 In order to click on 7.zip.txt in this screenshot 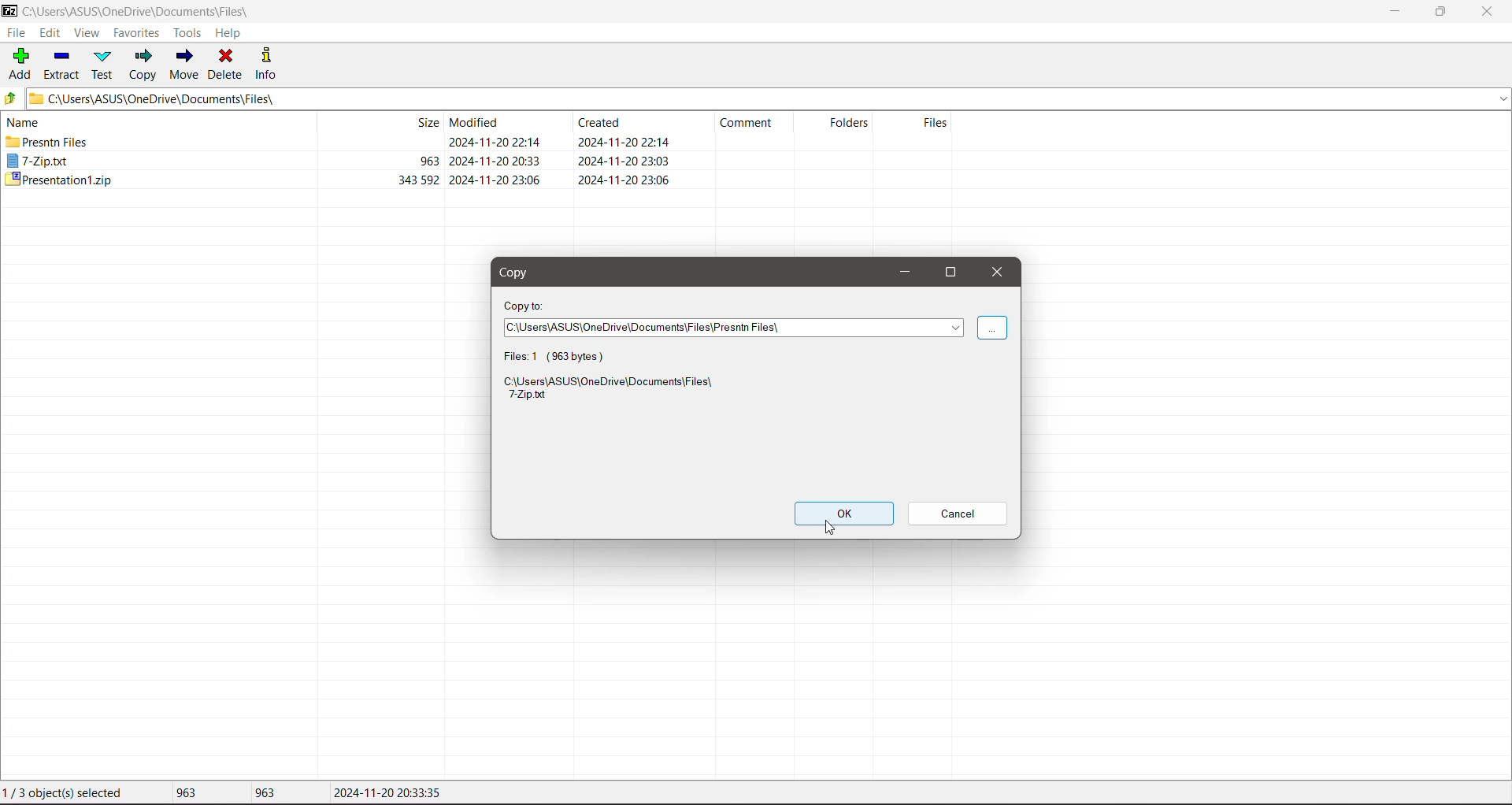, I will do `click(39, 161)`.